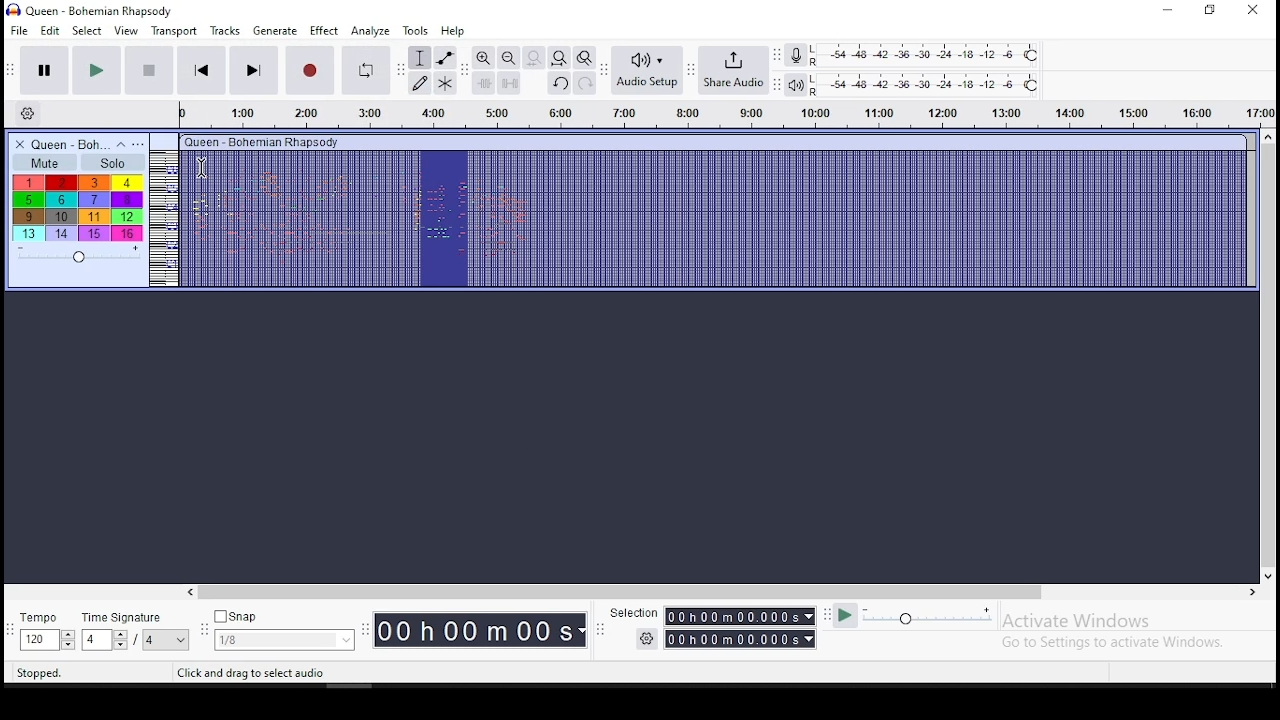 The image size is (1280, 720). Describe the element at coordinates (508, 58) in the screenshot. I see `zoom out` at that location.